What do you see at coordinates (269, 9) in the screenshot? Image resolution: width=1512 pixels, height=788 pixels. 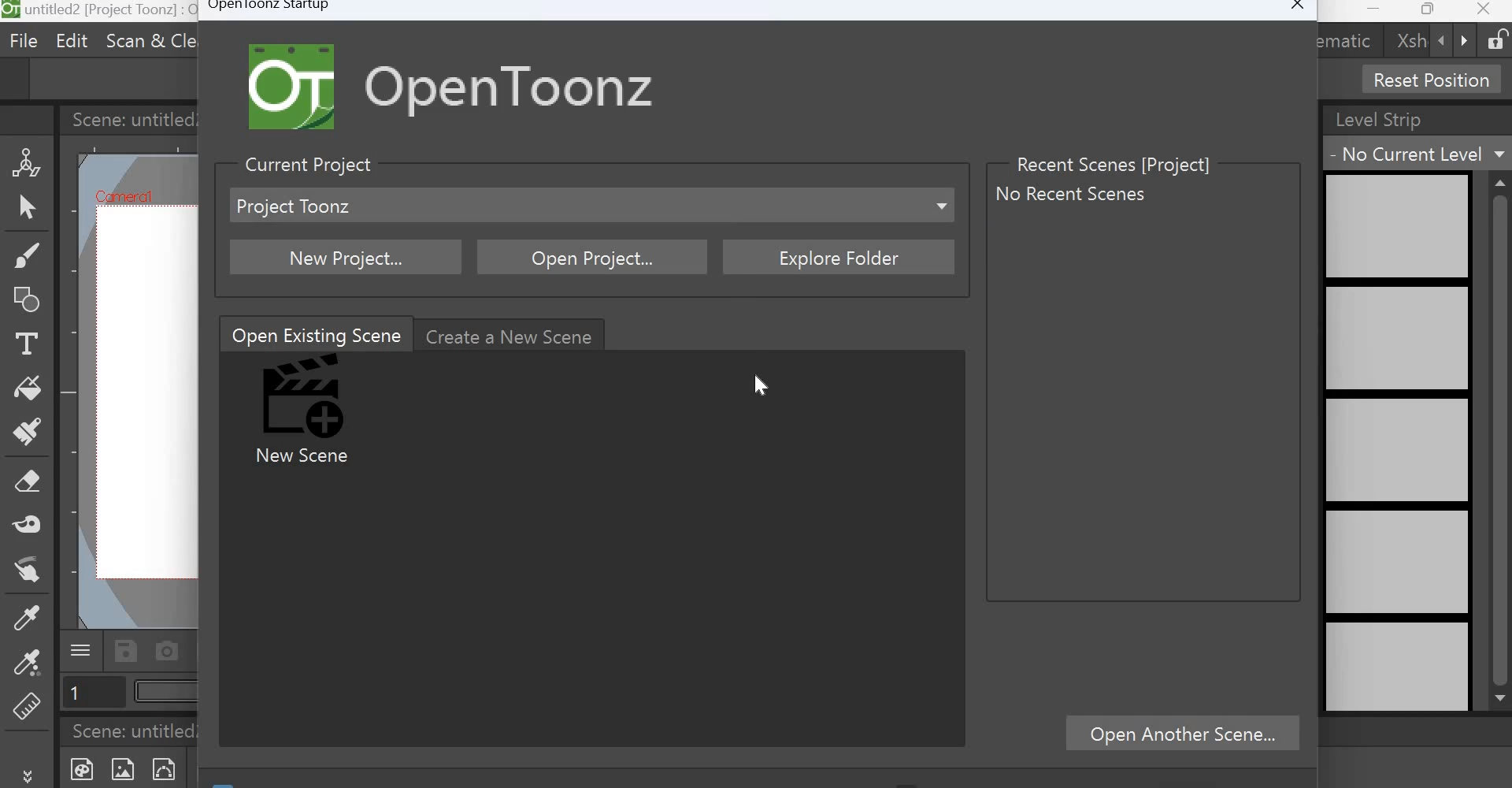 I see `Opentoonz Startup` at bounding box center [269, 9].